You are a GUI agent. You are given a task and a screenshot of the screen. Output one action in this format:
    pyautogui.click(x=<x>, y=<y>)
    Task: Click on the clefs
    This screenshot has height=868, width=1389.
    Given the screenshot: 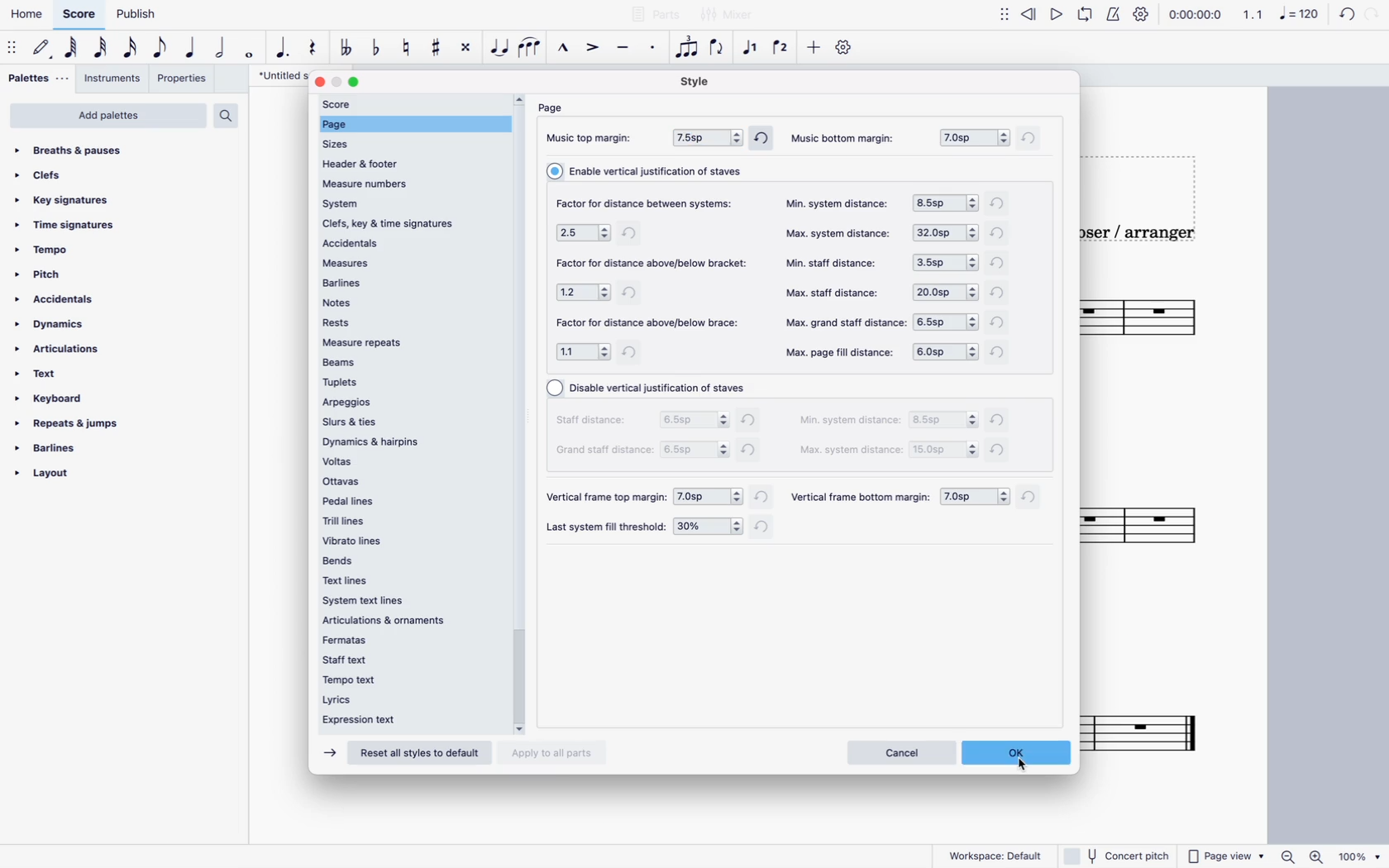 What is the action you would take?
    pyautogui.click(x=47, y=176)
    